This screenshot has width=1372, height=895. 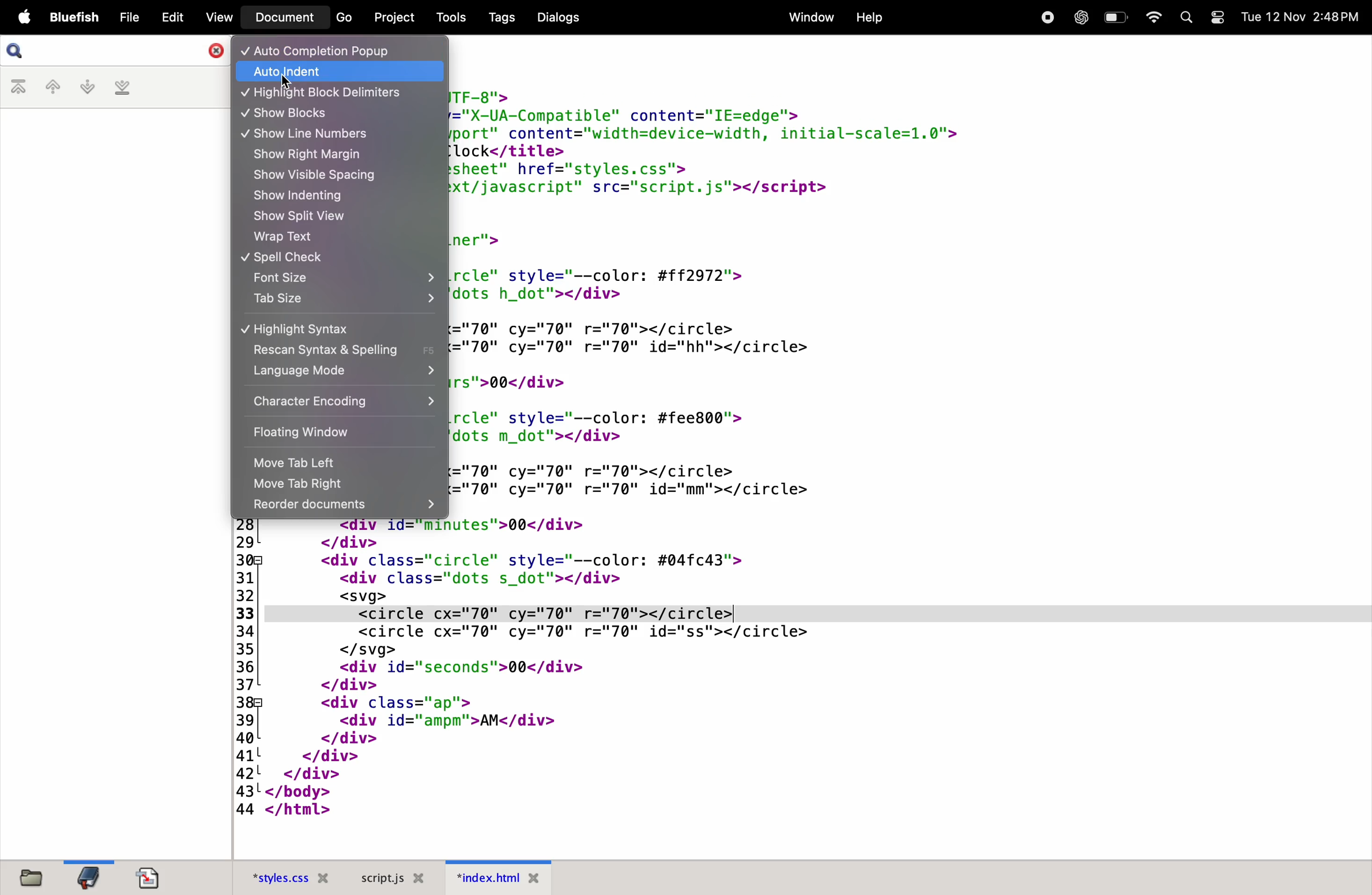 I want to click on script .js, so click(x=394, y=875).